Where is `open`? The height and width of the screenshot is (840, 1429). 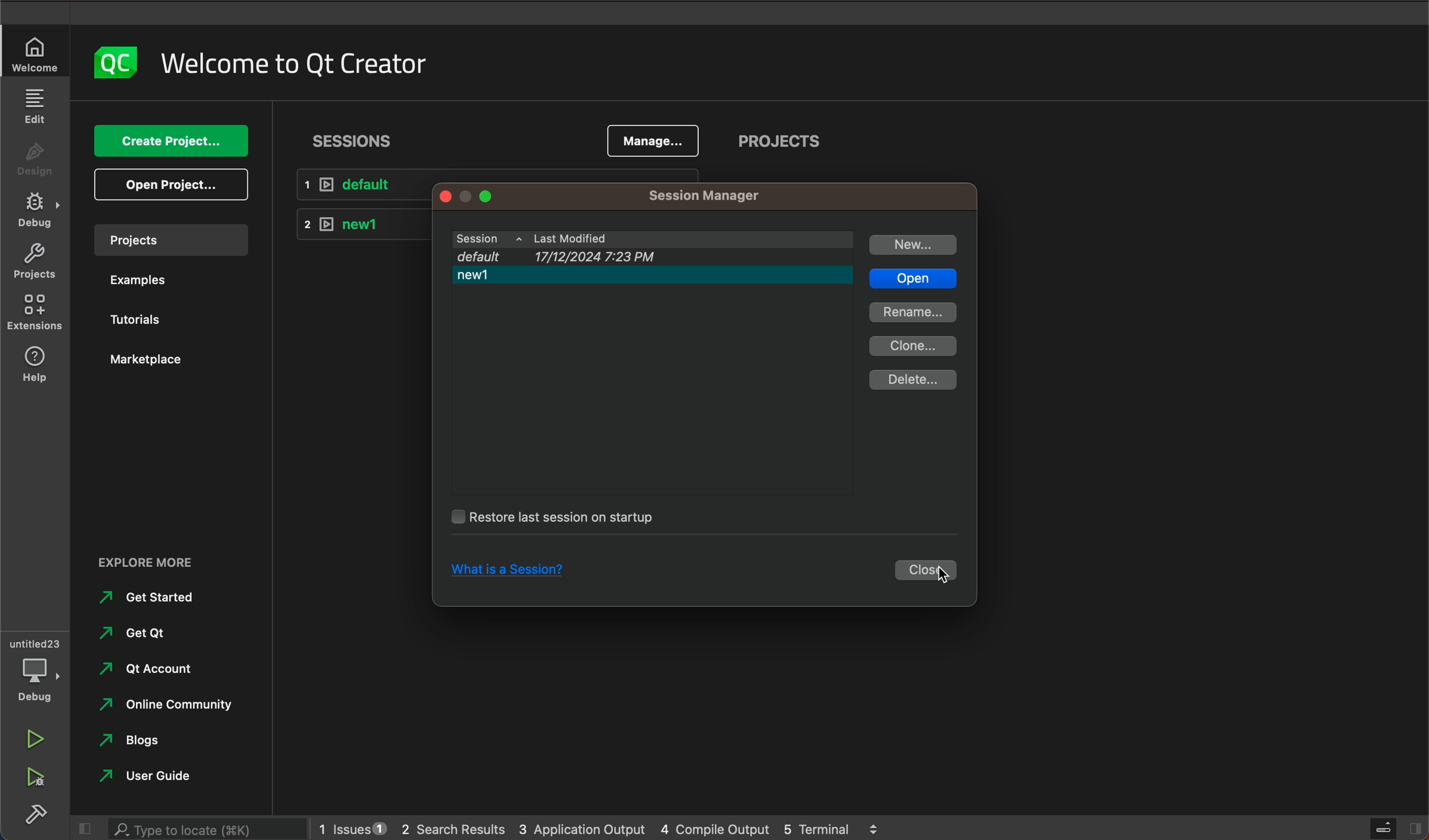
open is located at coordinates (175, 185).